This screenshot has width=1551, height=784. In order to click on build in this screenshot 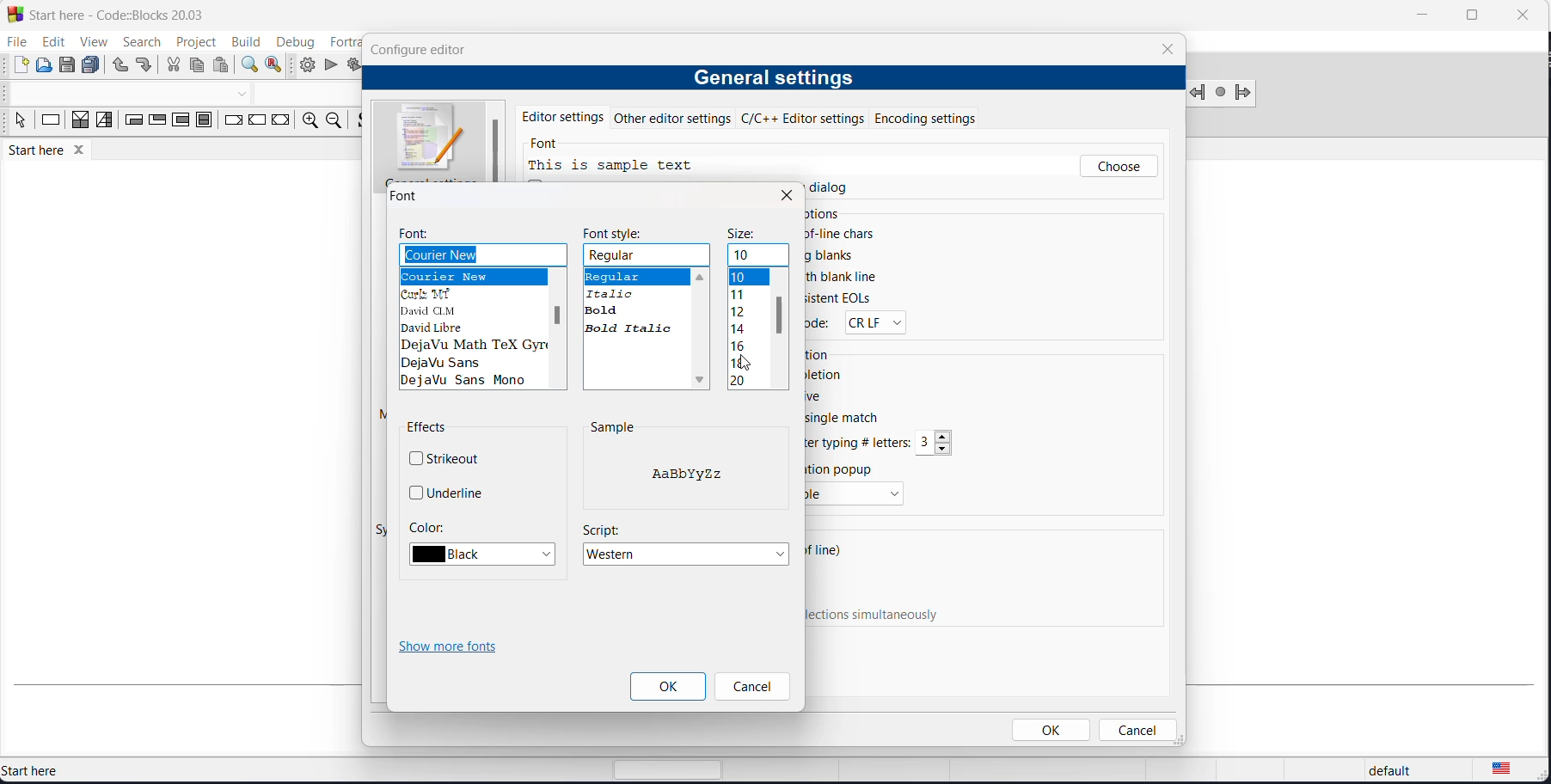, I will do `click(244, 41)`.